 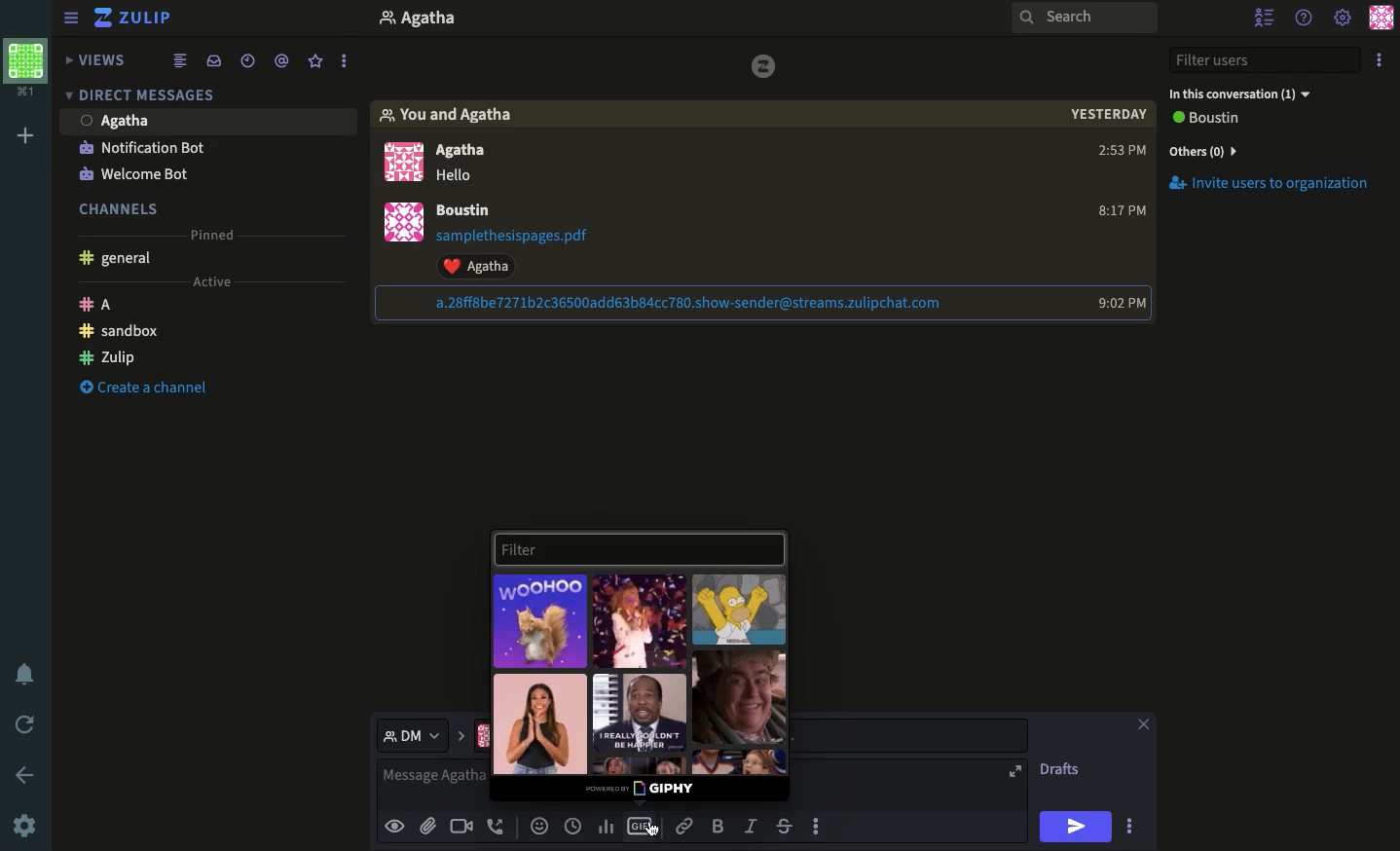 I want to click on GIF, so click(x=541, y=722).